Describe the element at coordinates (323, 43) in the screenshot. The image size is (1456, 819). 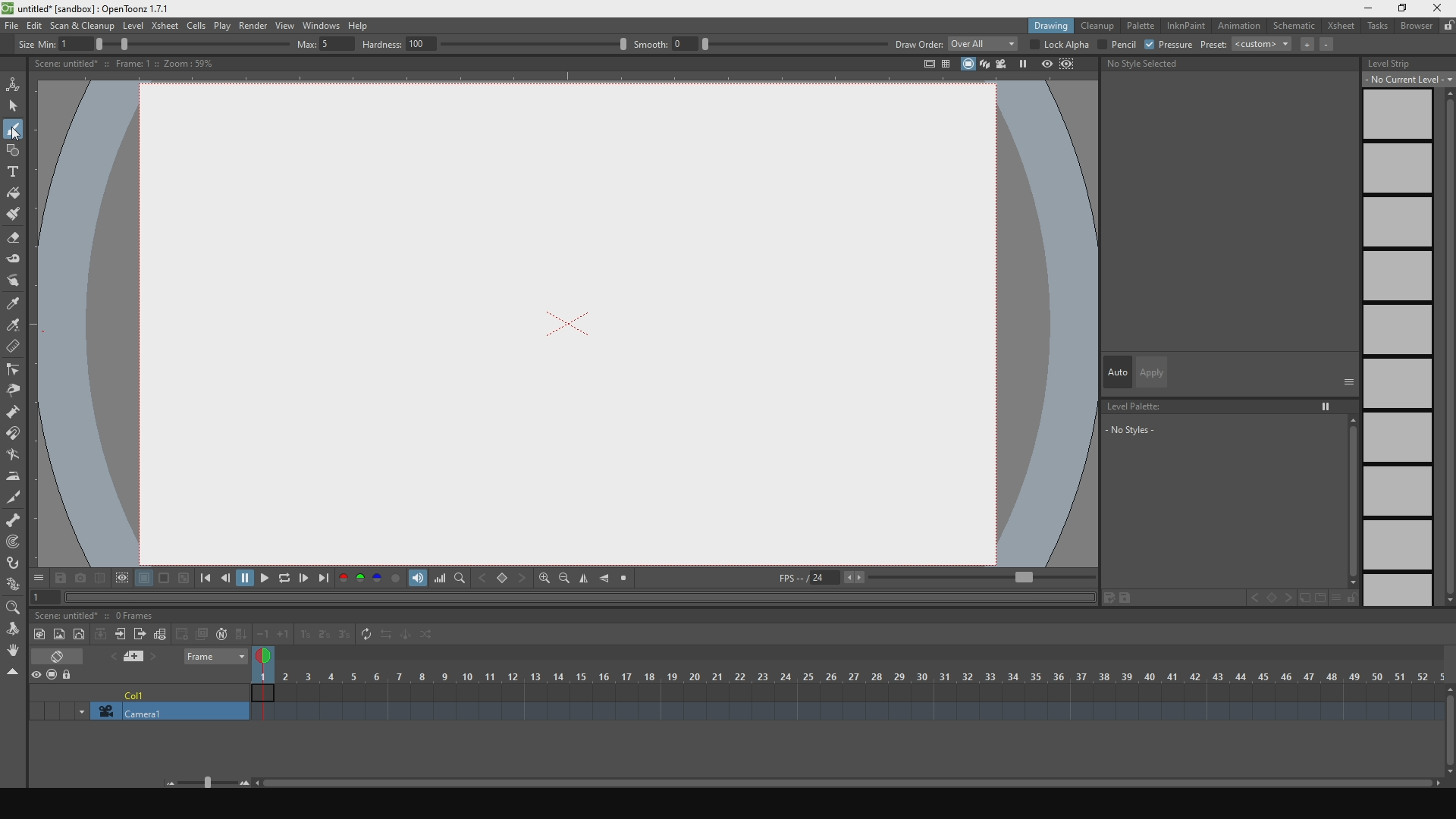
I see `max` at that location.